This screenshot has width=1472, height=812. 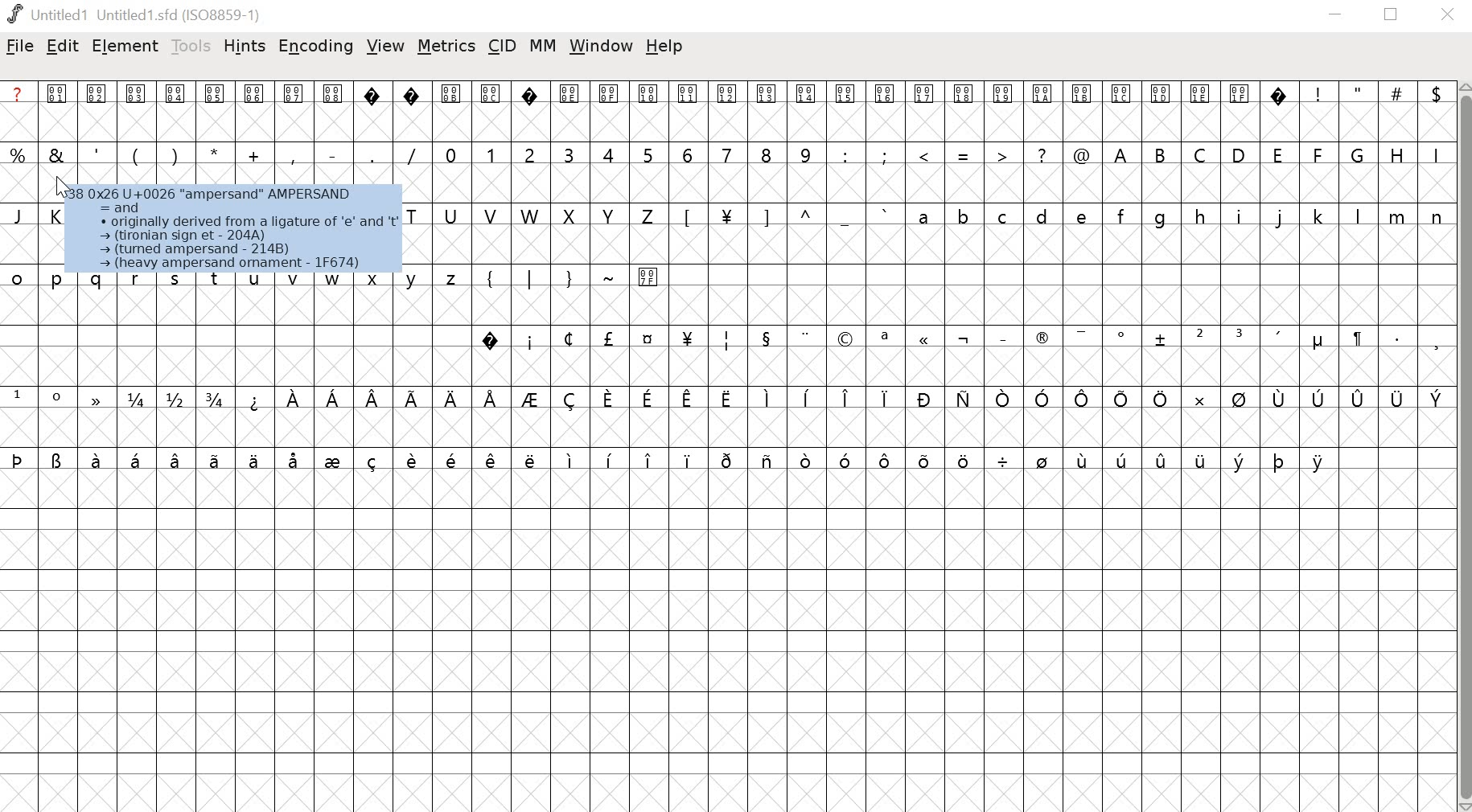 What do you see at coordinates (64, 47) in the screenshot?
I see `edit` at bounding box center [64, 47].